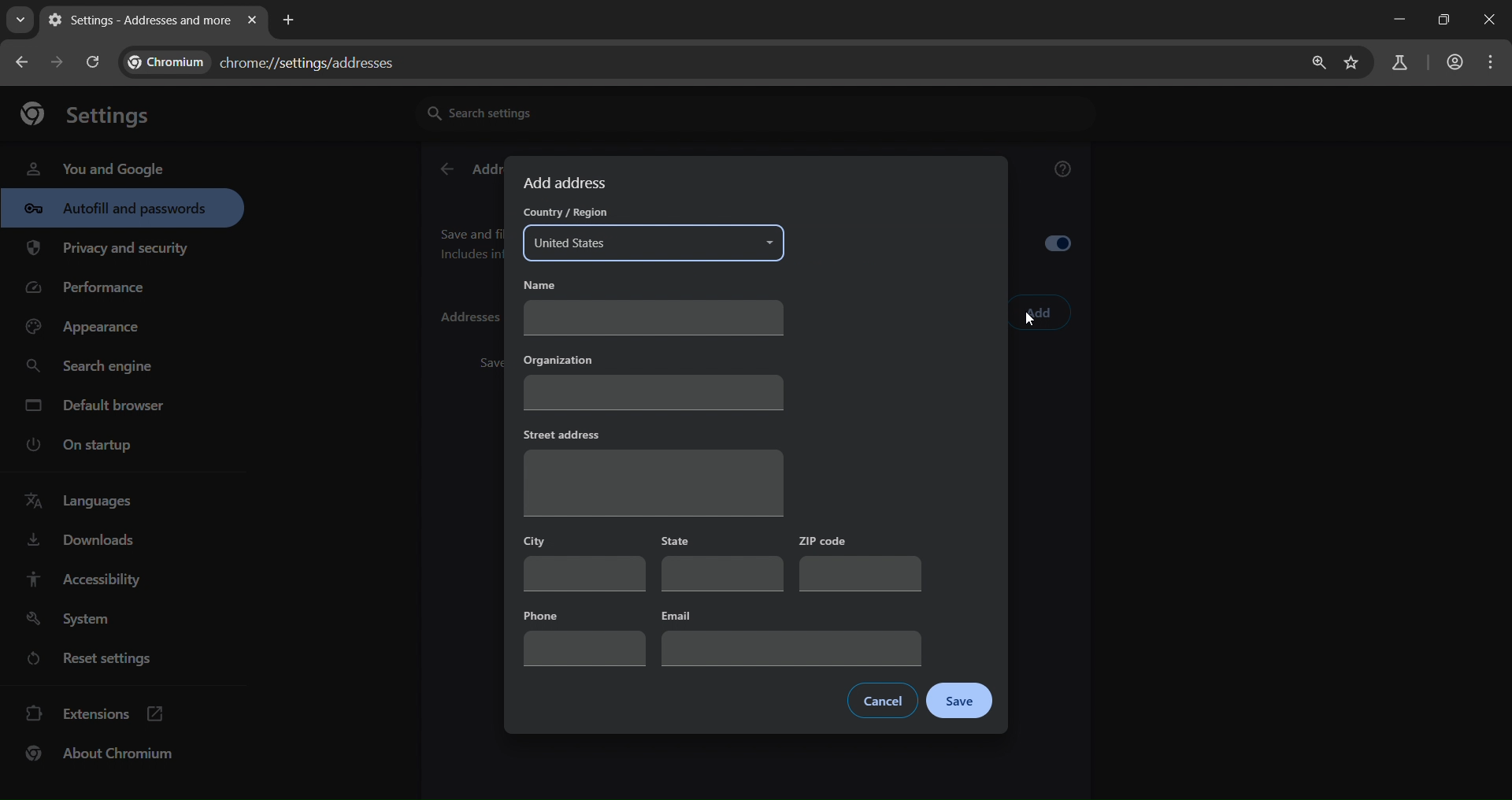 Image resolution: width=1512 pixels, height=800 pixels. What do you see at coordinates (1395, 20) in the screenshot?
I see `minimize` at bounding box center [1395, 20].